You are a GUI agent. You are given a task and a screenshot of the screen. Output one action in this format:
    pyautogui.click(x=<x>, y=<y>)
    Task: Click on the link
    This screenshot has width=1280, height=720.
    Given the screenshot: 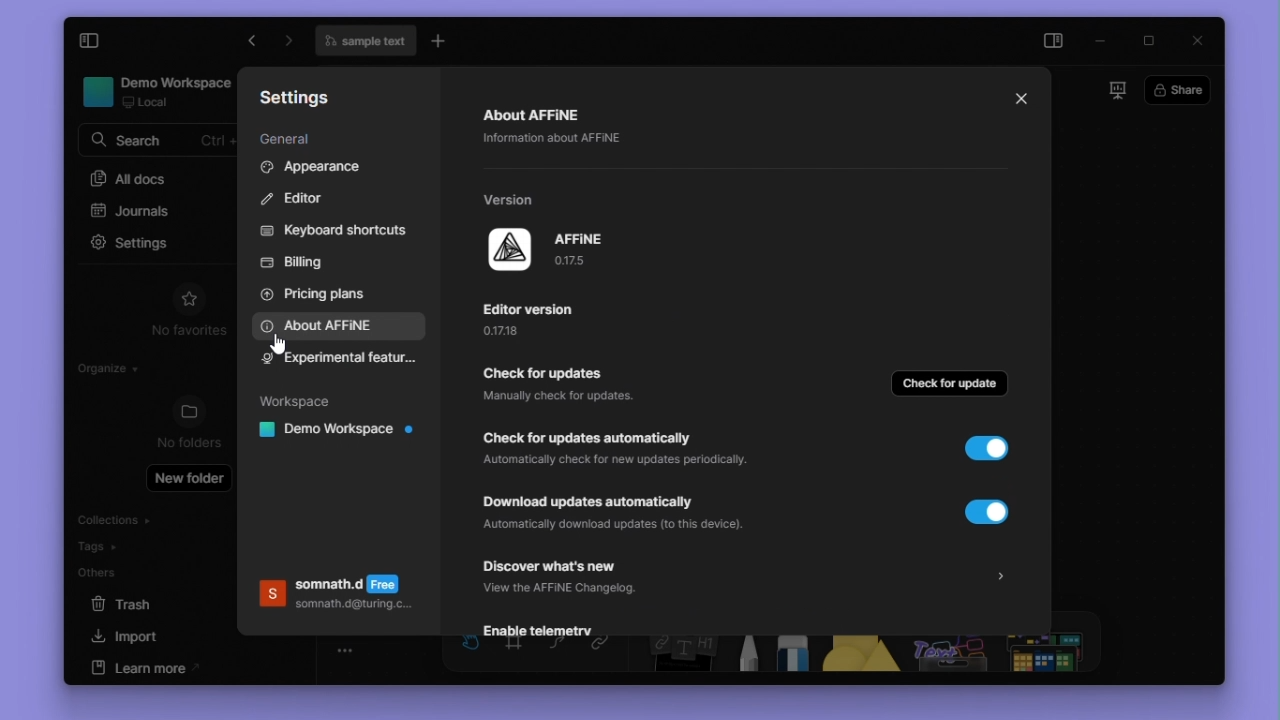 What is the action you would take?
    pyautogui.click(x=609, y=653)
    